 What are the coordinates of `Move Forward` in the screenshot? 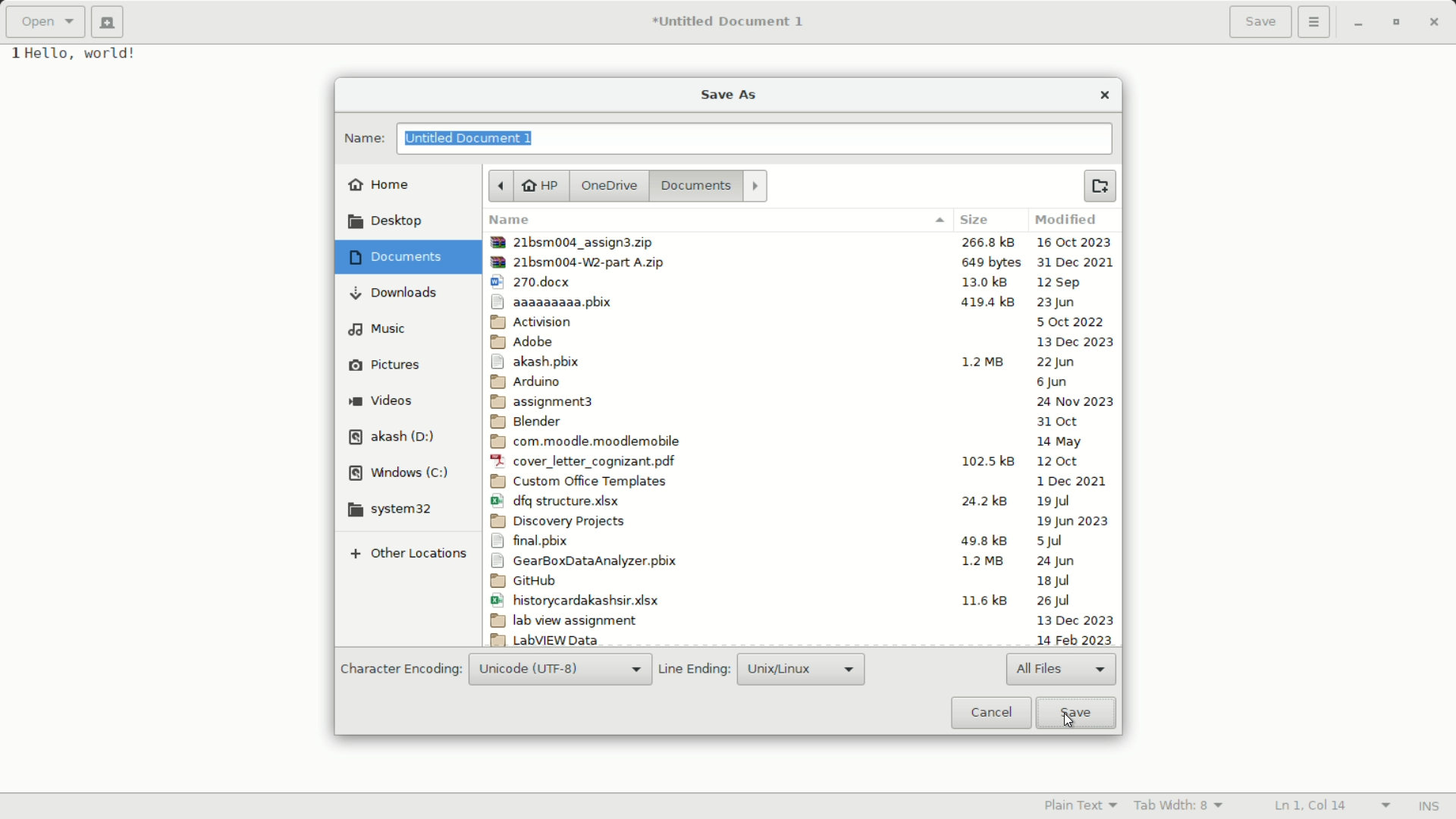 It's located at (756, 184).